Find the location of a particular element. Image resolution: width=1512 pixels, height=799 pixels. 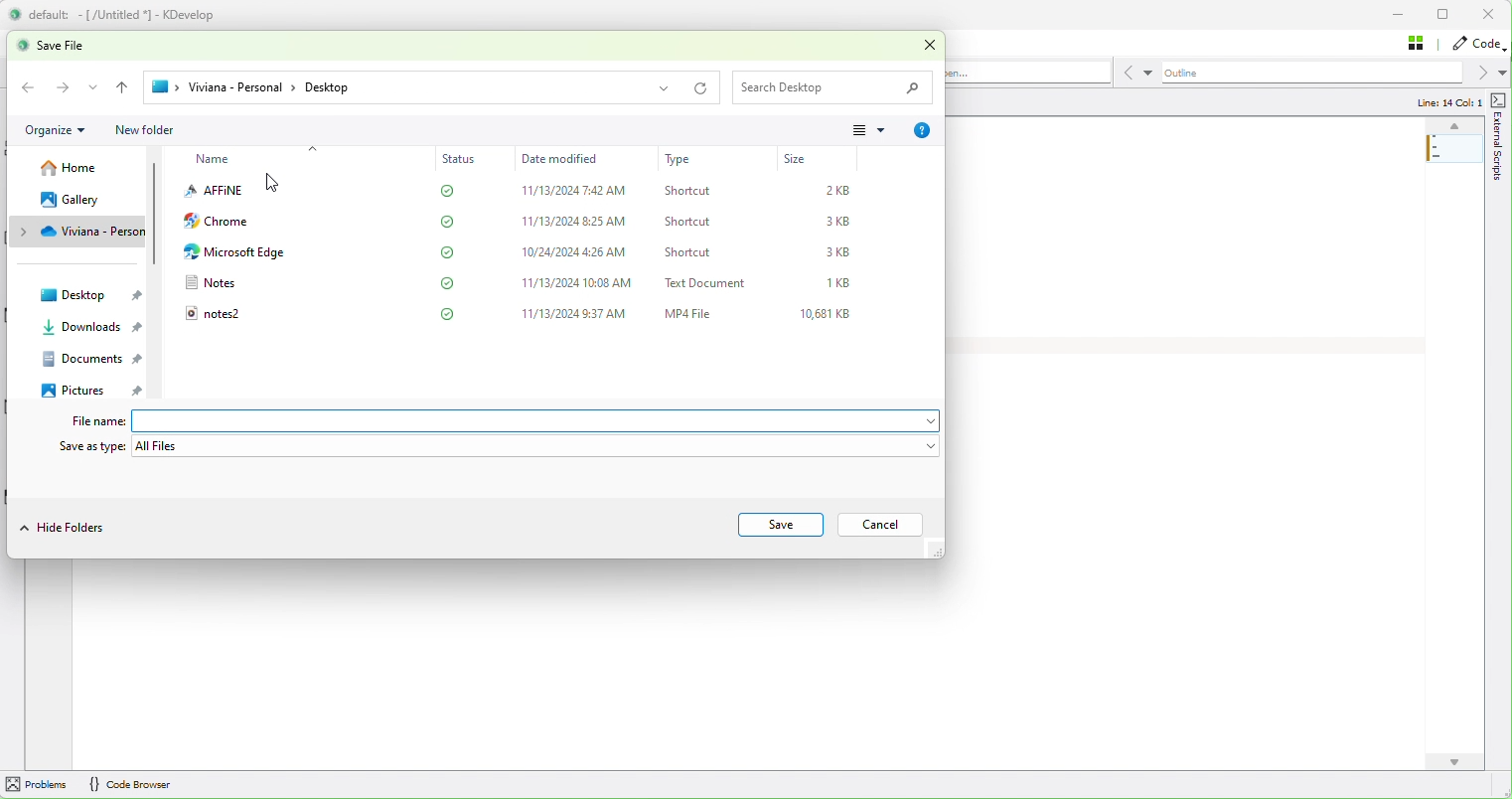

11/13/2024 10:08 AM is located at coordinates (580, 283).